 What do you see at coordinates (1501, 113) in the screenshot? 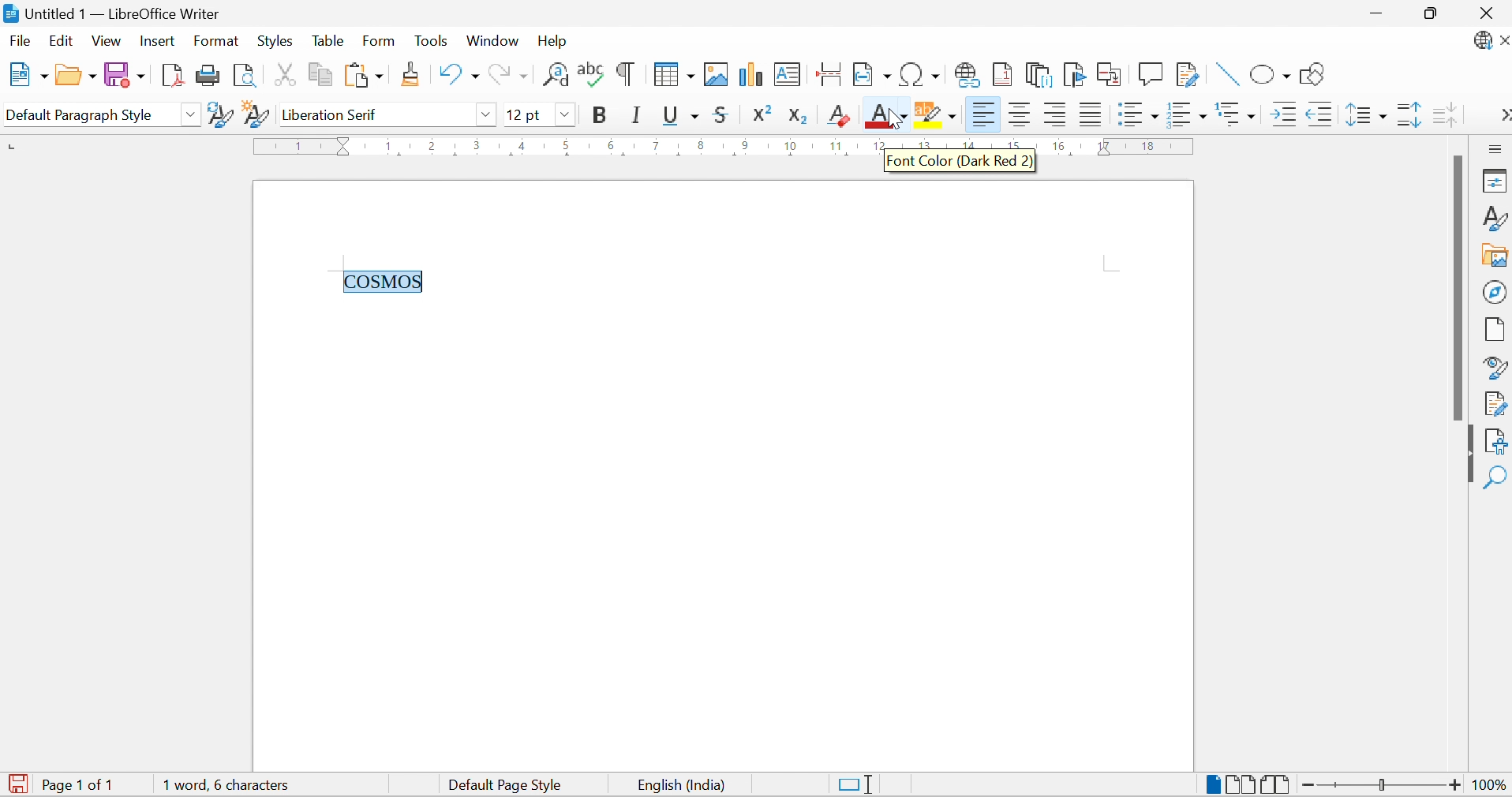
I see `More` at bounding box center [1501, 113].